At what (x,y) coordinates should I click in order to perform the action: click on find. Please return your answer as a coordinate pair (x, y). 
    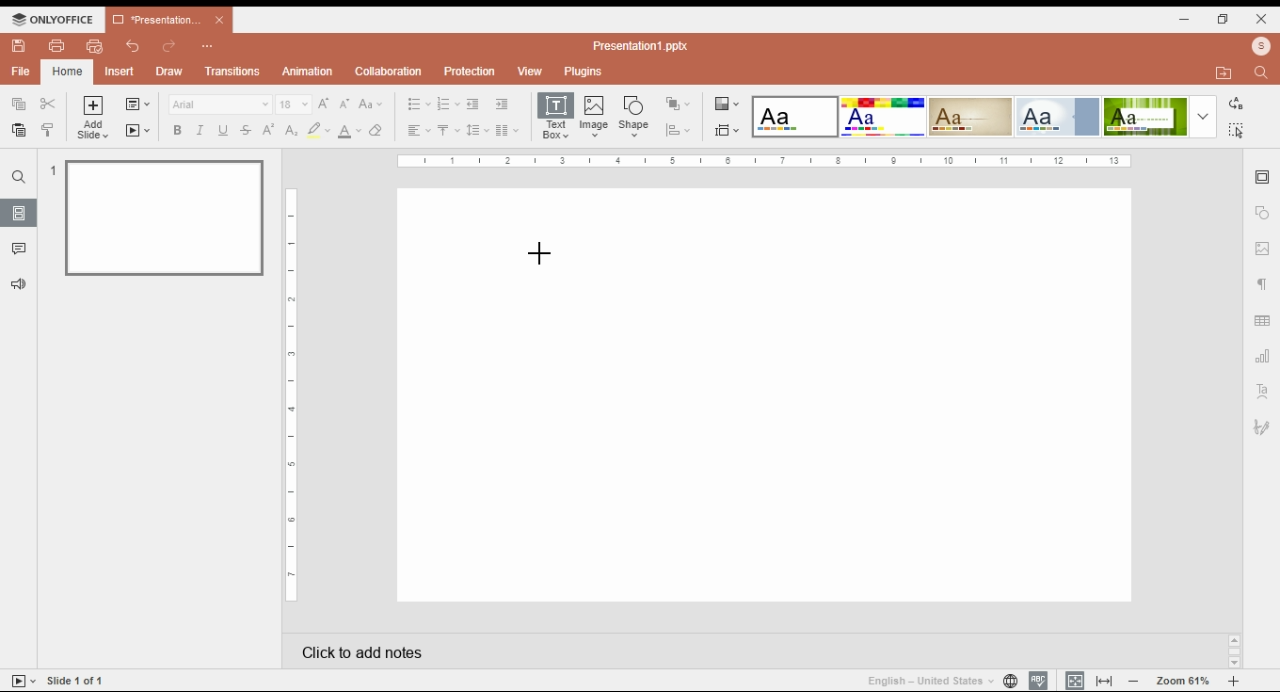
    Looking at the image, I should click on (18, 177).